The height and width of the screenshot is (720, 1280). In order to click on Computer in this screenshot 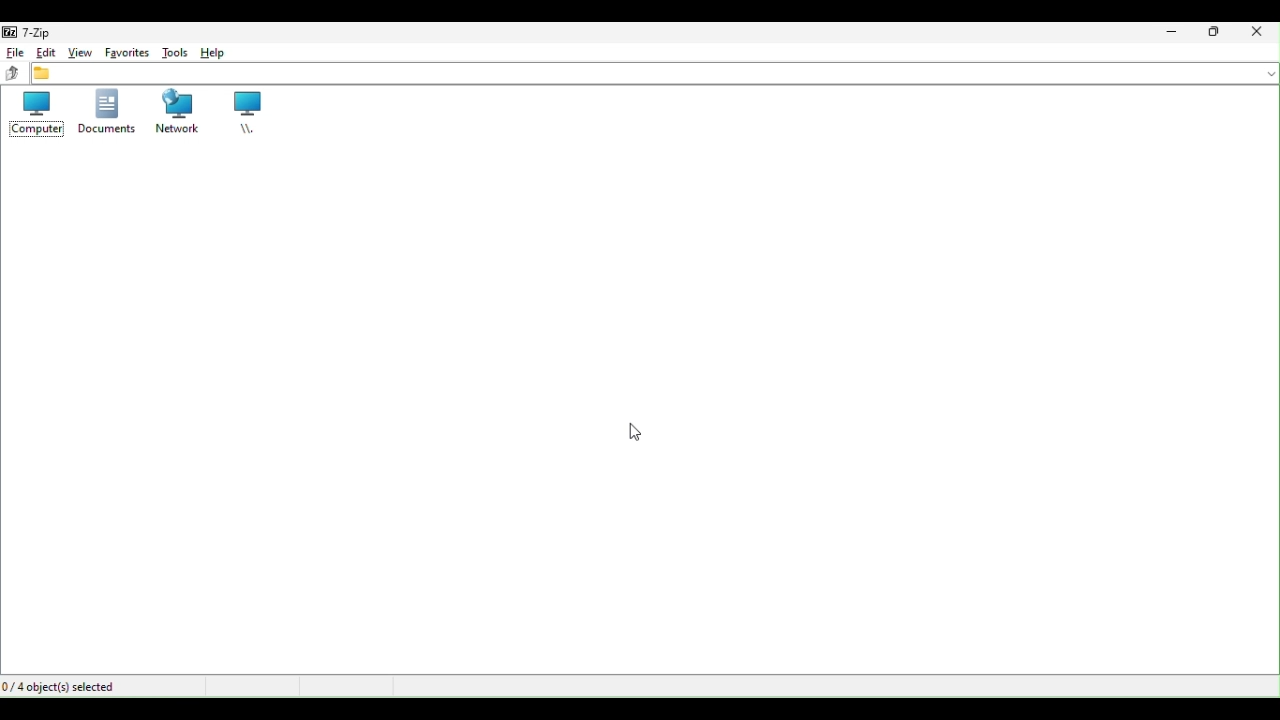, I will do `click(39, 114)`.